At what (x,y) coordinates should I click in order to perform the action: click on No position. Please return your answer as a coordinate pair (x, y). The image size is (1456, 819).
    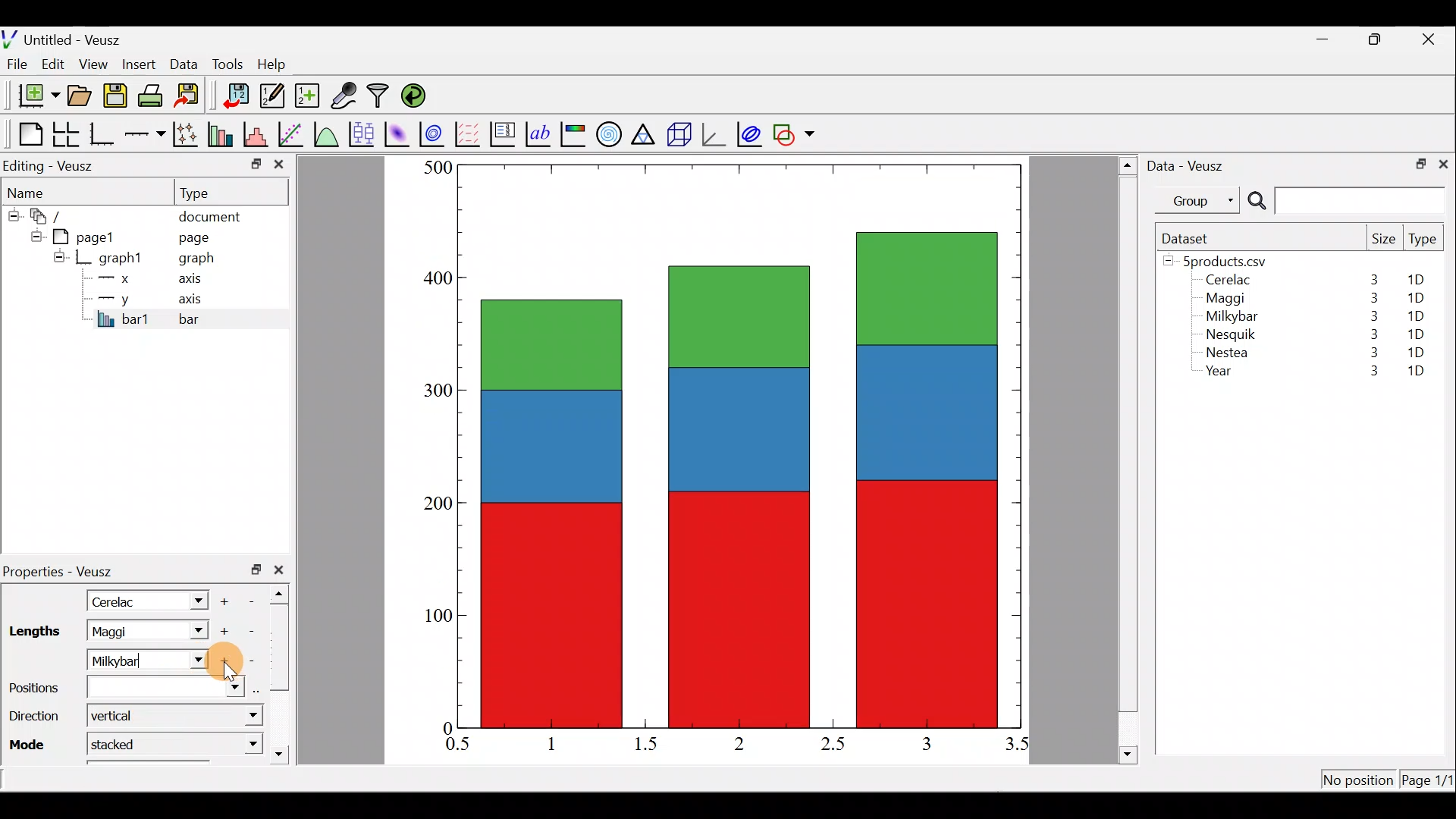
    Looking at the image, I should click on (1359, 781).